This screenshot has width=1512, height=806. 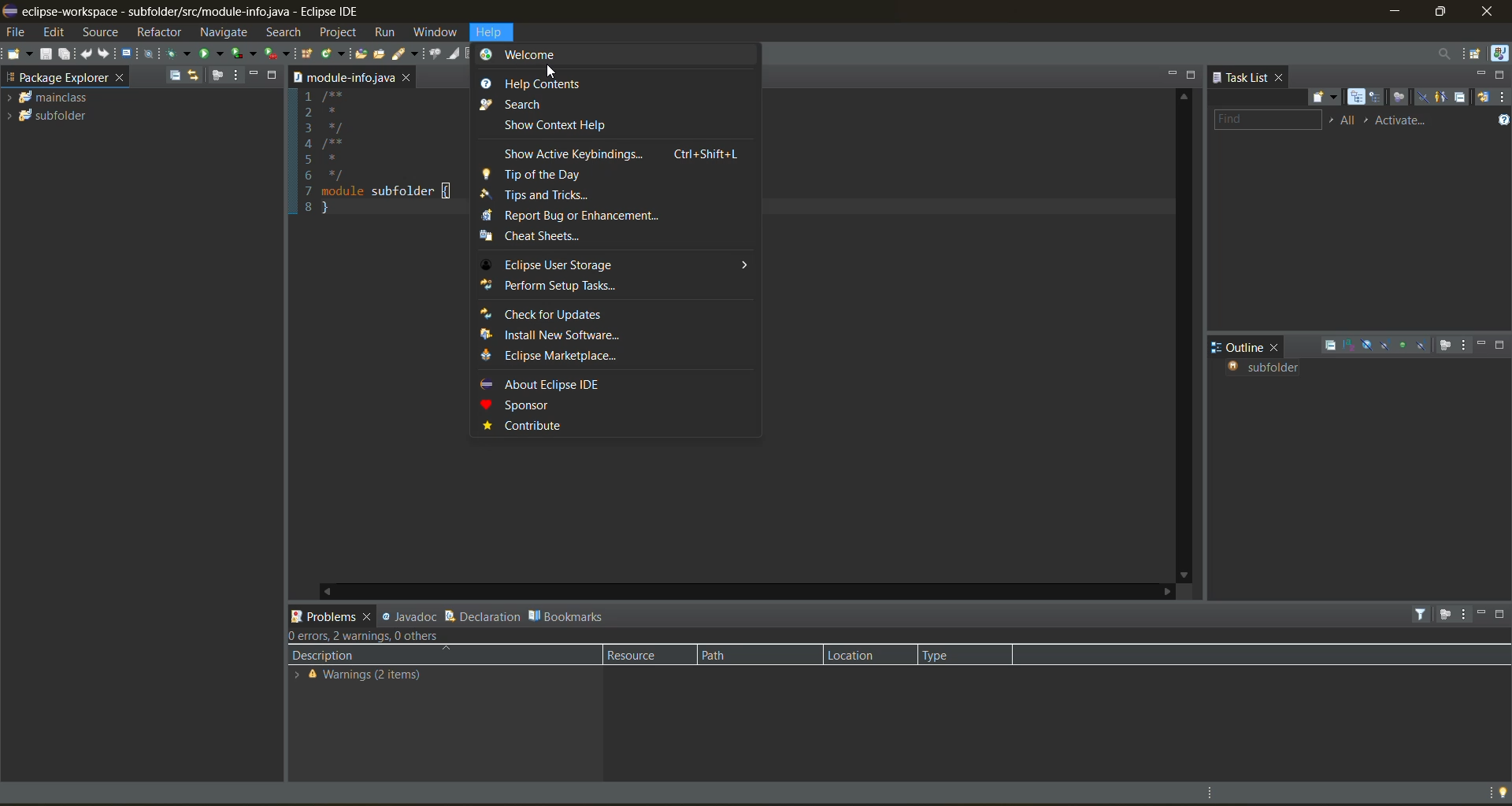 I want to click on undo, so click(x=88, y=54).